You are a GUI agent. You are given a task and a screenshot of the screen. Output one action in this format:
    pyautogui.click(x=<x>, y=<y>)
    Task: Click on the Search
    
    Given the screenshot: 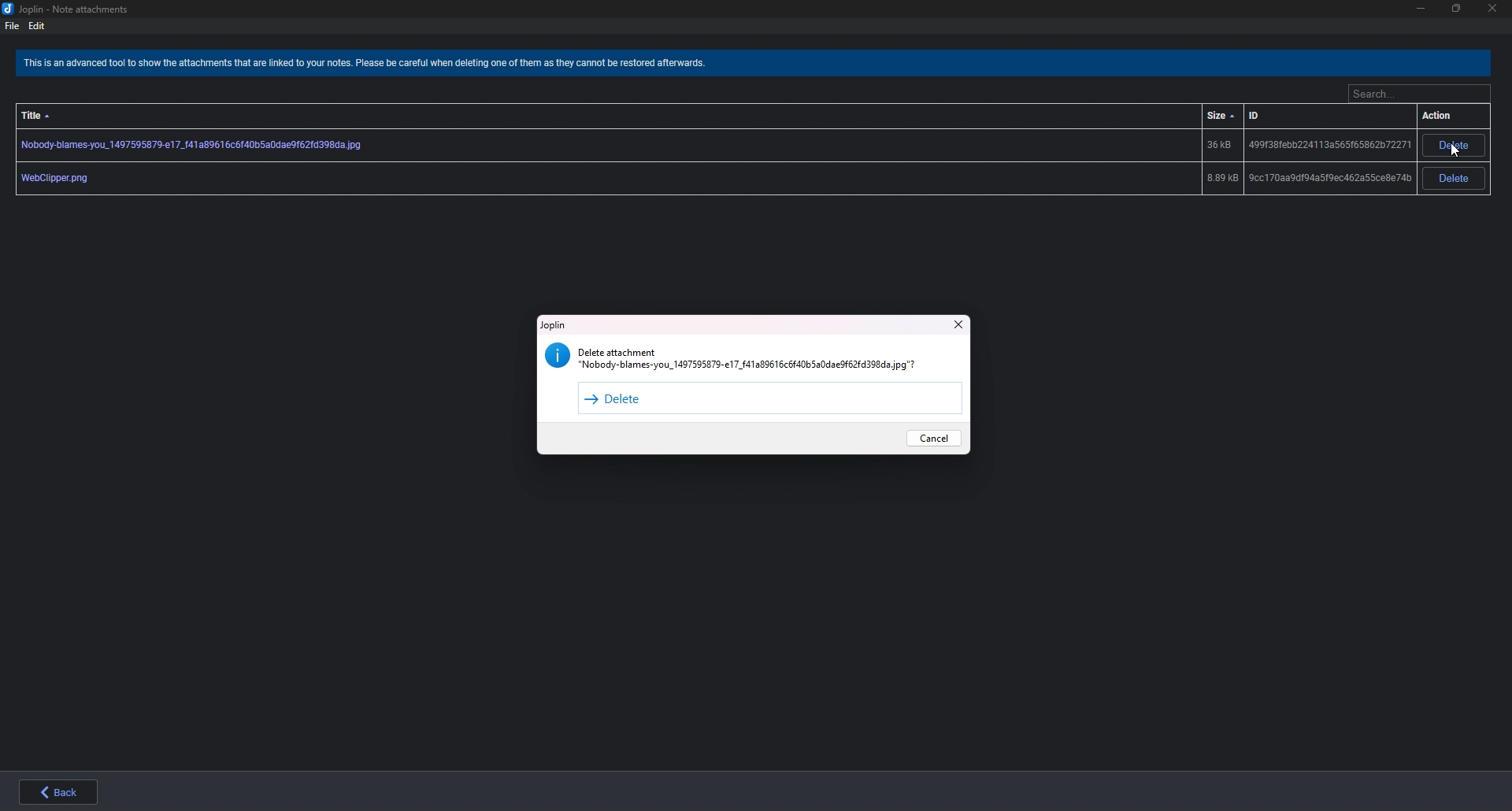 What is the action you would take?
    pyautogui.click(x=1418, y=95)
    